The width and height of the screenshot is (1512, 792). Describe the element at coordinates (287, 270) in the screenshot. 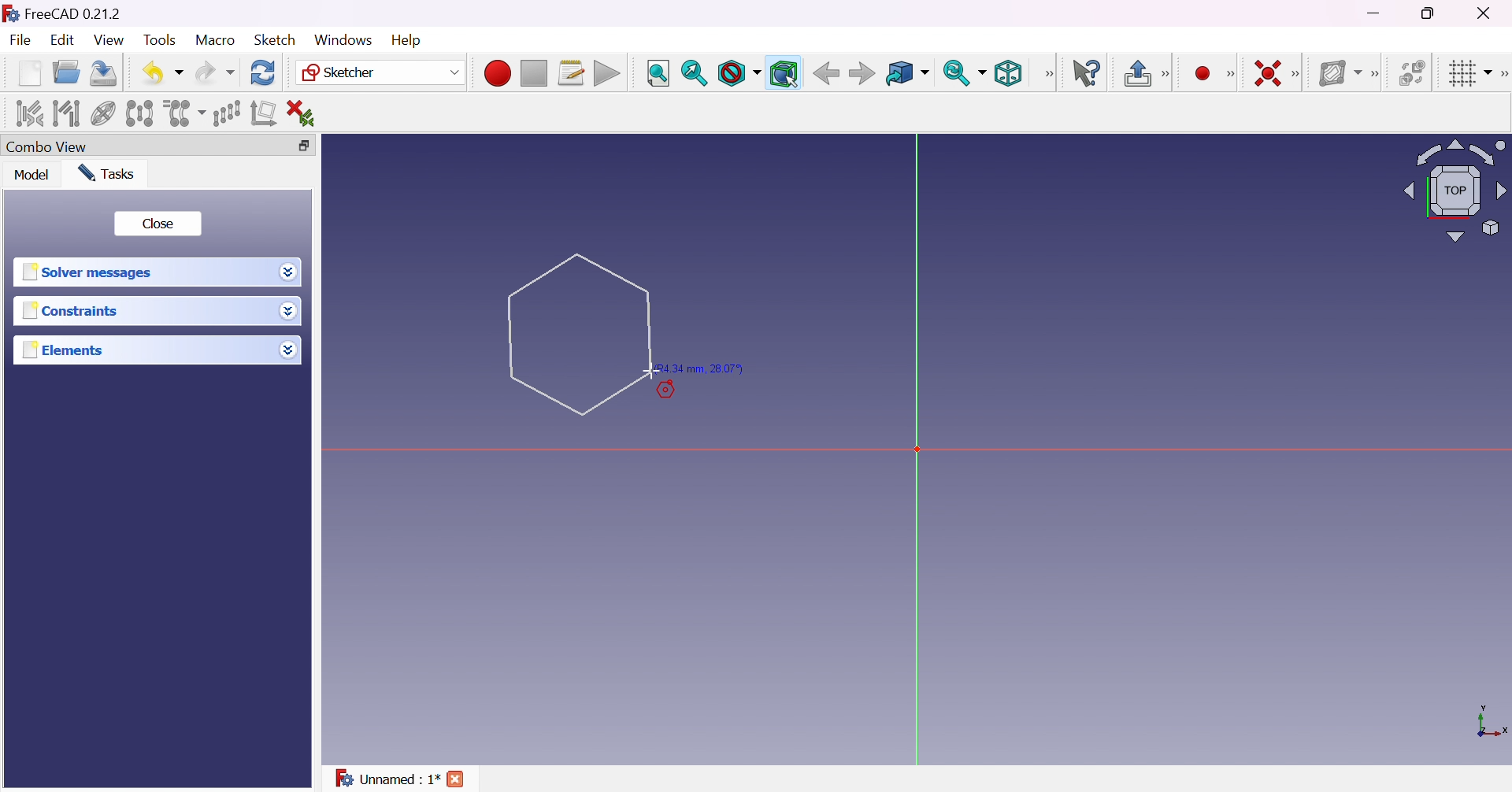

I see `Drop down` at that location.